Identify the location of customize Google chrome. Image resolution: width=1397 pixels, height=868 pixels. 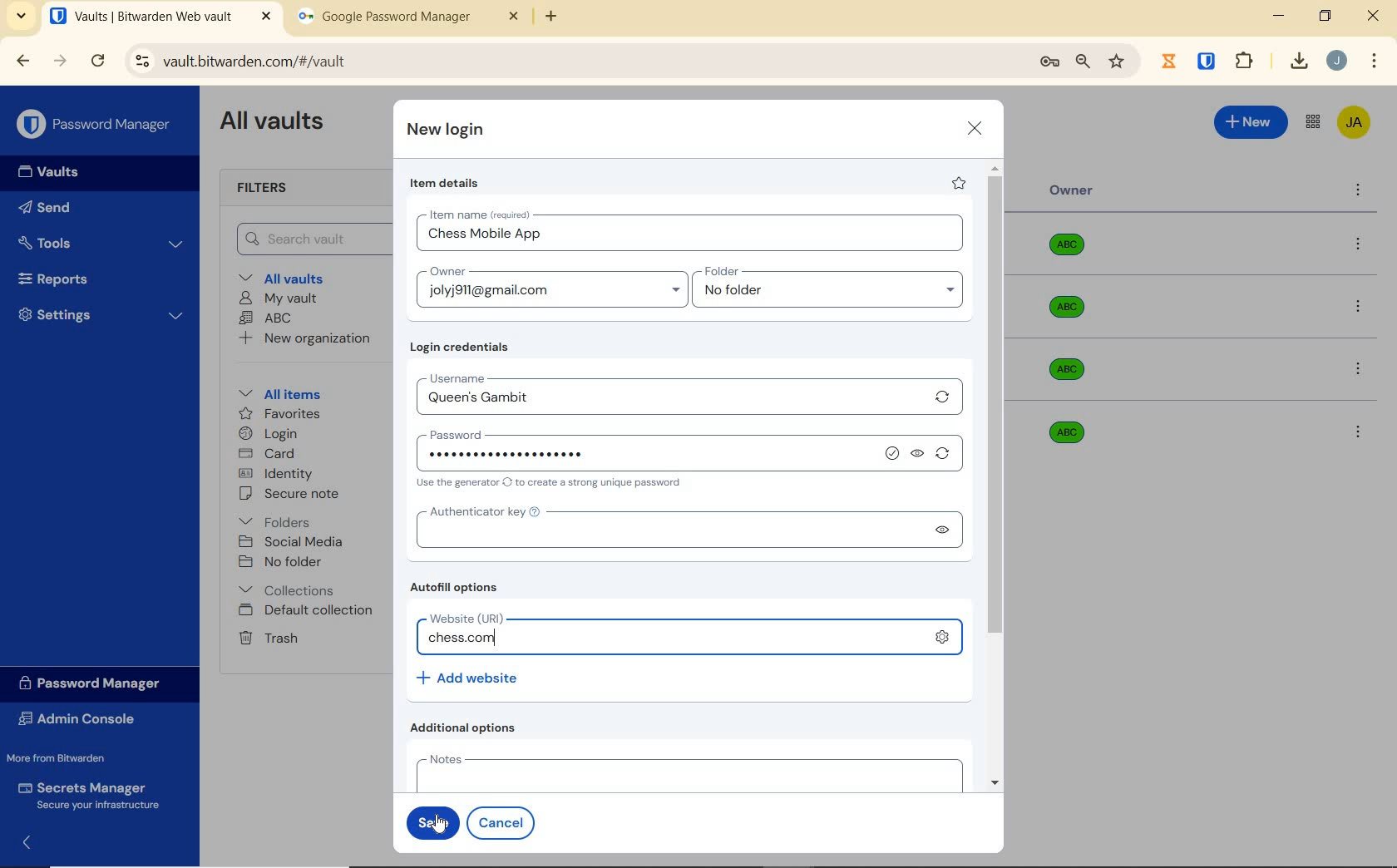
(1375, 62).